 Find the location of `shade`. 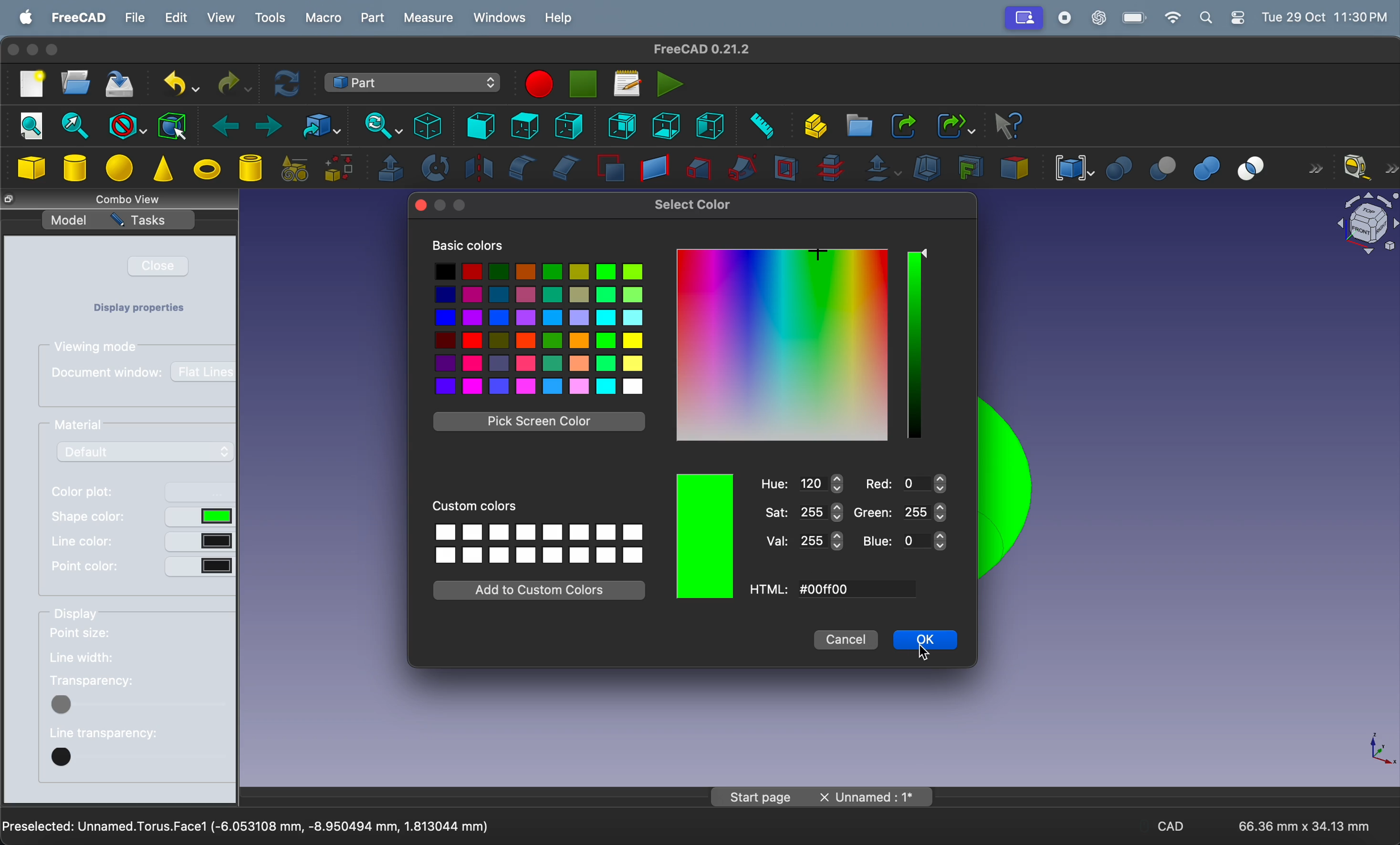

shade is located at coordinates (911, 345).